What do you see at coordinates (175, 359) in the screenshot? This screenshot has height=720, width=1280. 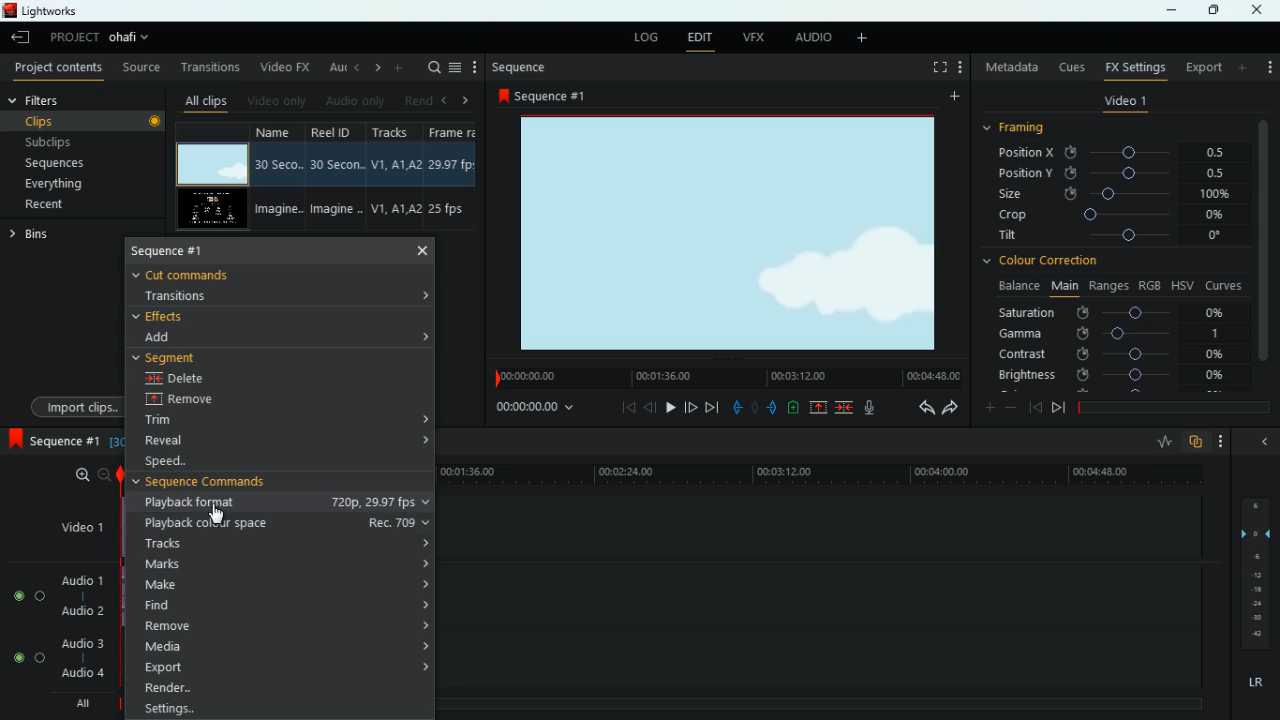 I see `segment` at bounding box center [175, 359].